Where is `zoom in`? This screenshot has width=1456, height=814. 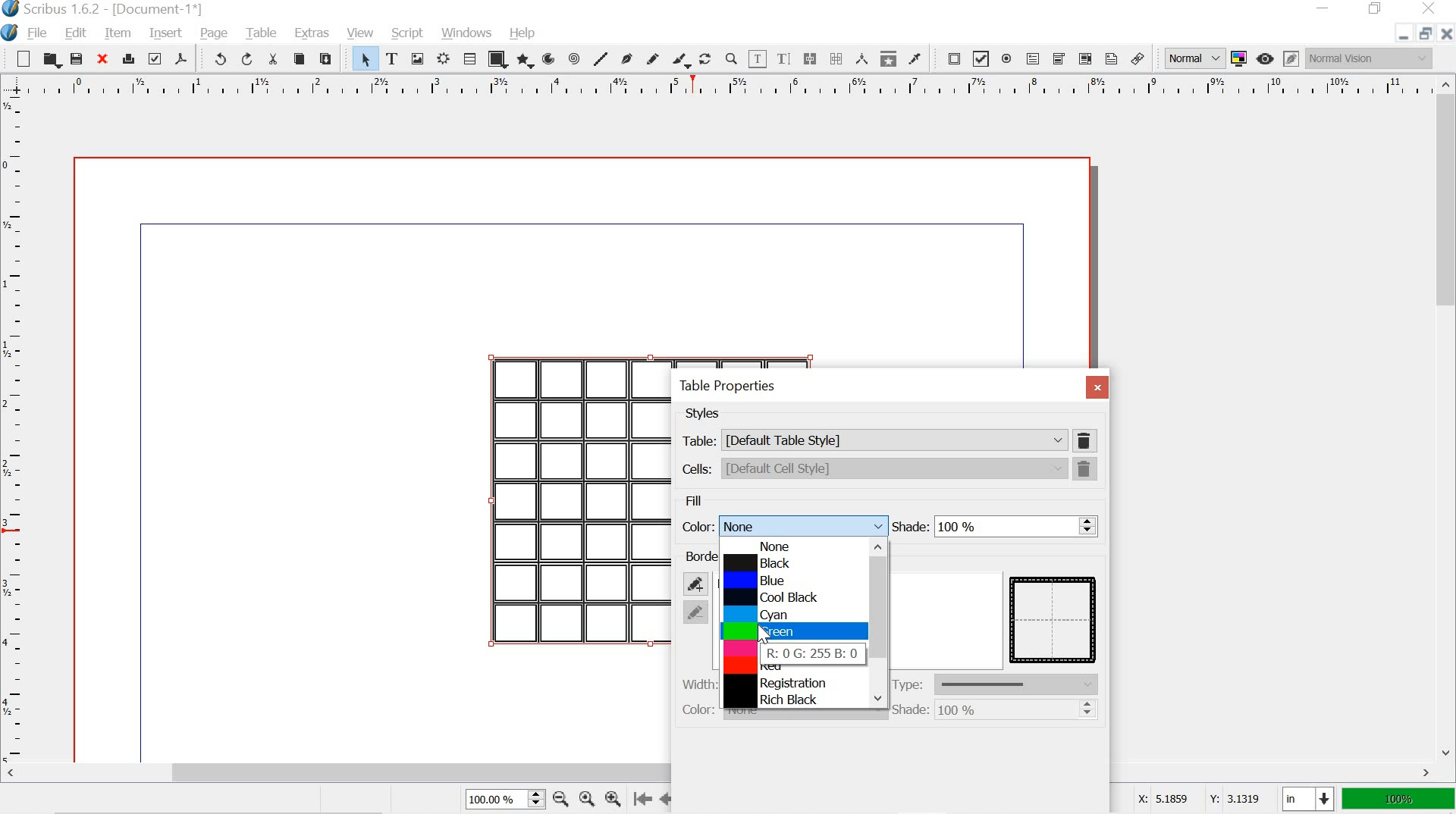
zoom in is located at coordinates (613, 798).